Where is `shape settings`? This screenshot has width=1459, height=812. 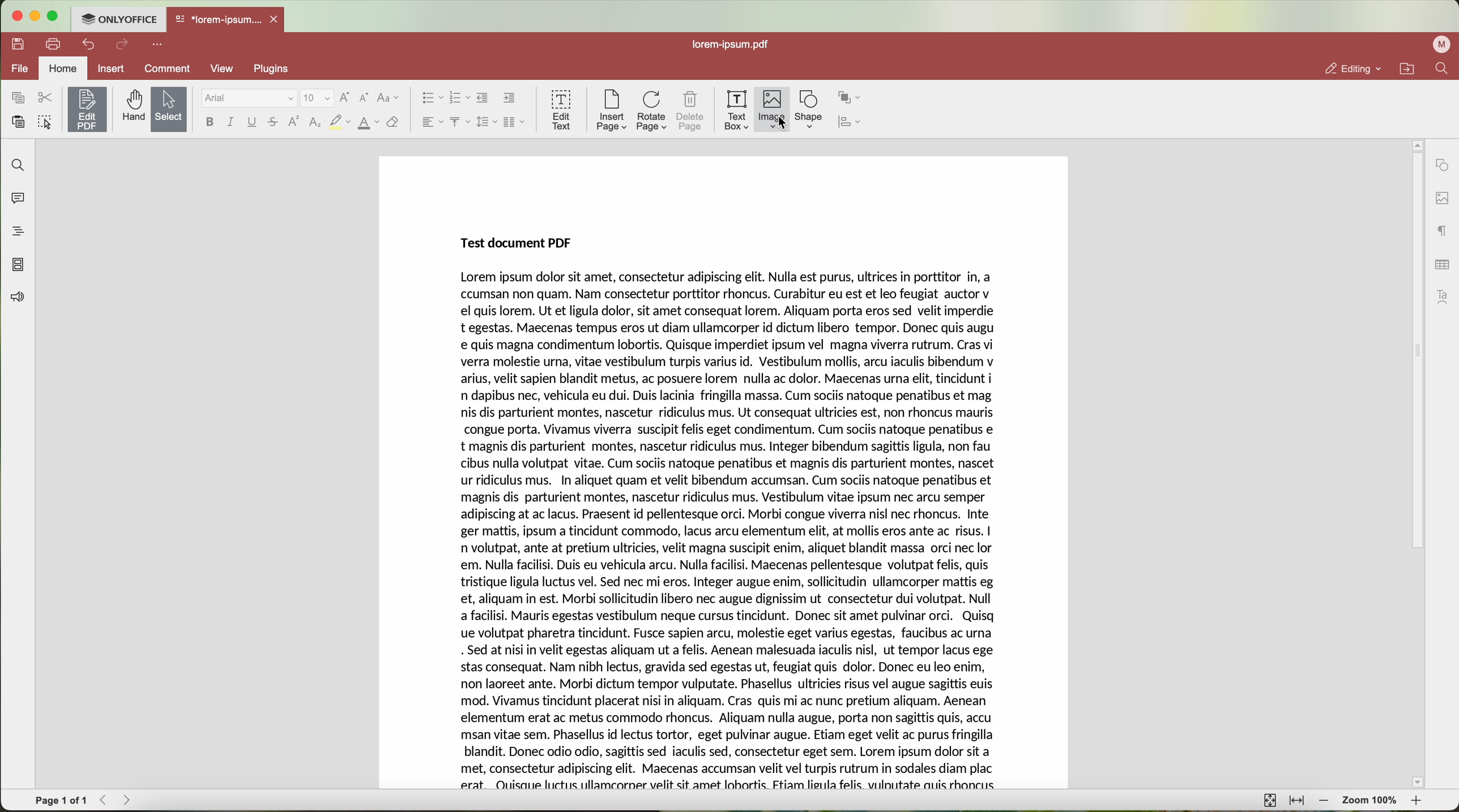
shape settings is located at coordinates (1441, 165).